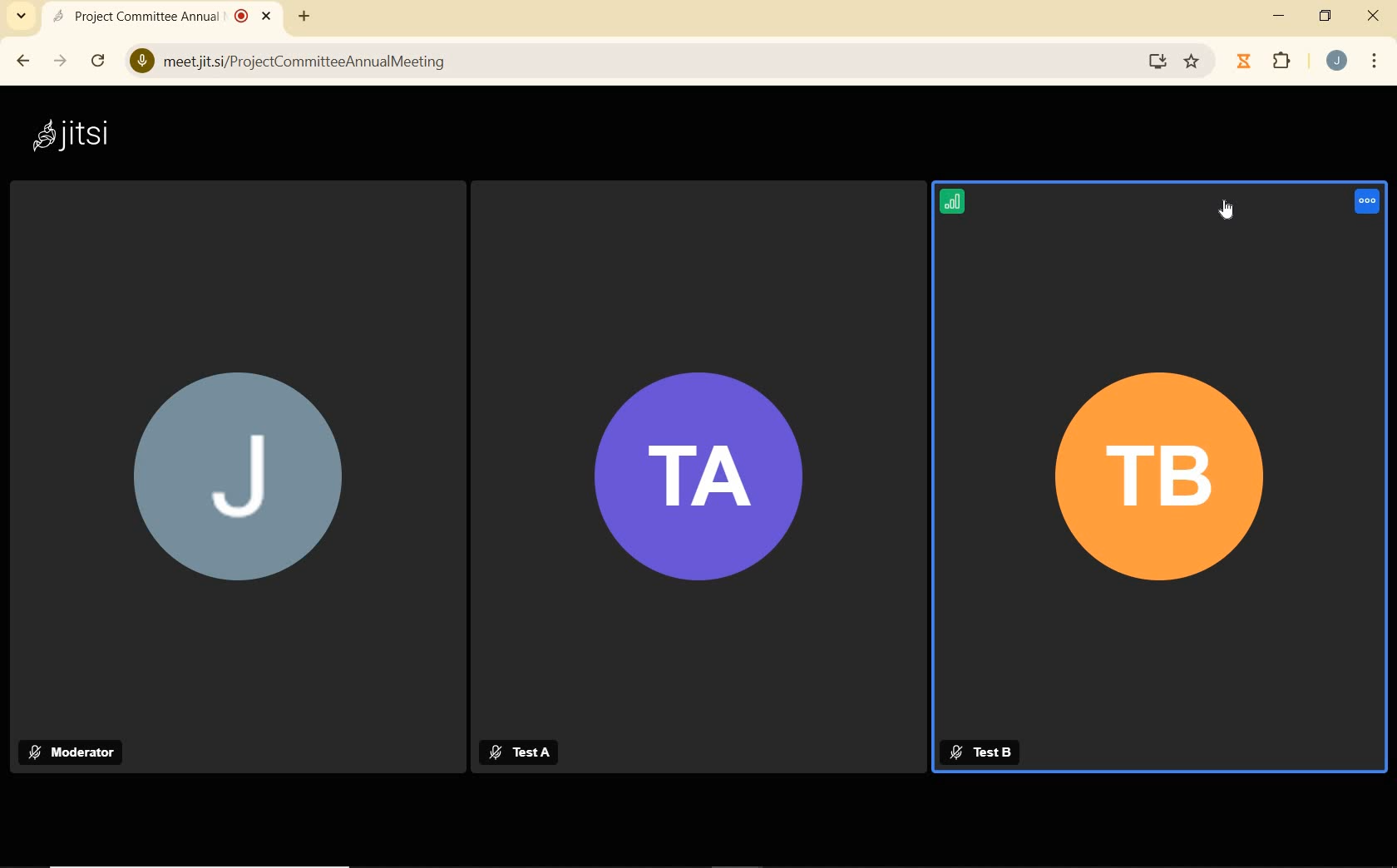 The width and height of the screenshot is (1397, 868). I want to click on RELOAD, so click(100, 57).